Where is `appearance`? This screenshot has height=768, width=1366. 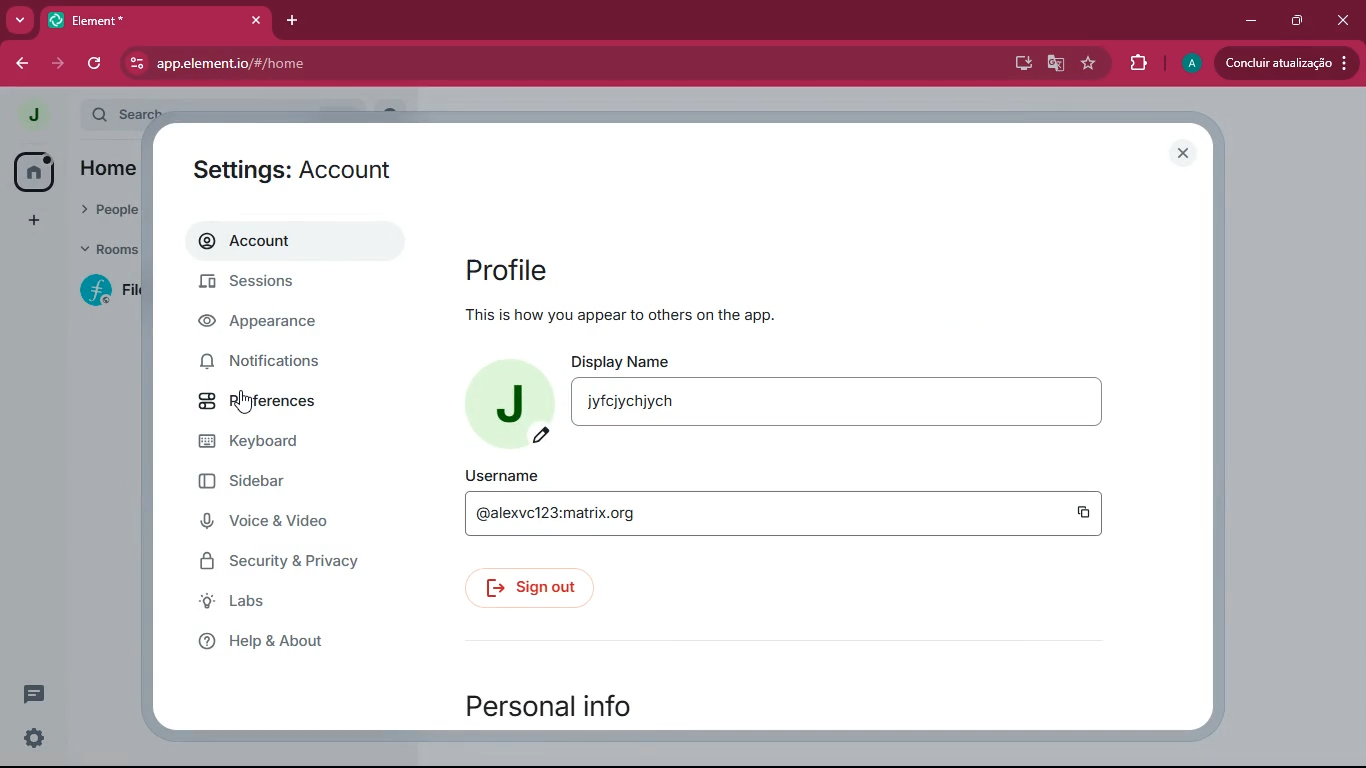 appearance is located at coordinates (273, 326).